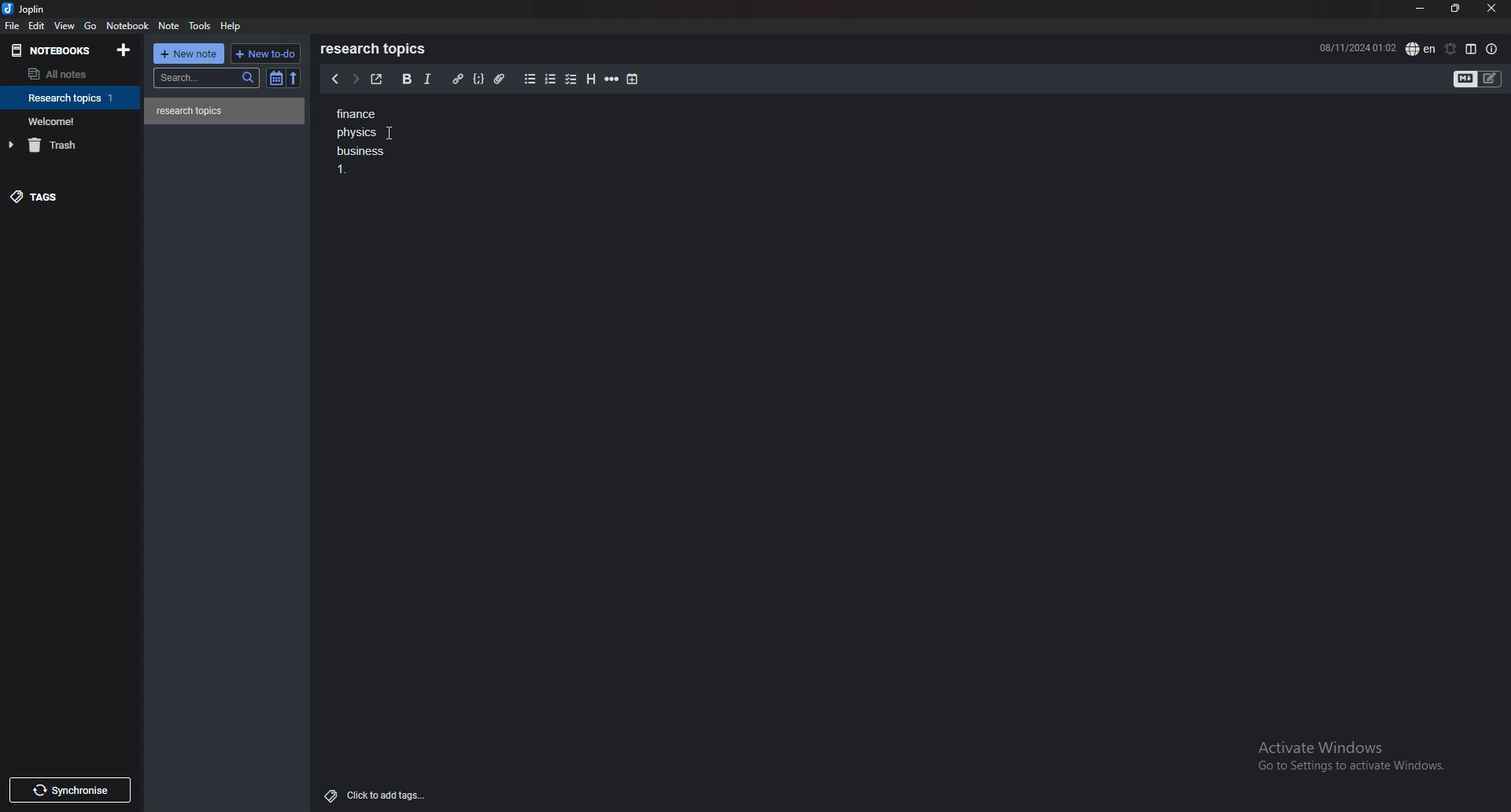  Describe the element at coordinates (200, 26) in the screenshot. I see `tools` at that location.